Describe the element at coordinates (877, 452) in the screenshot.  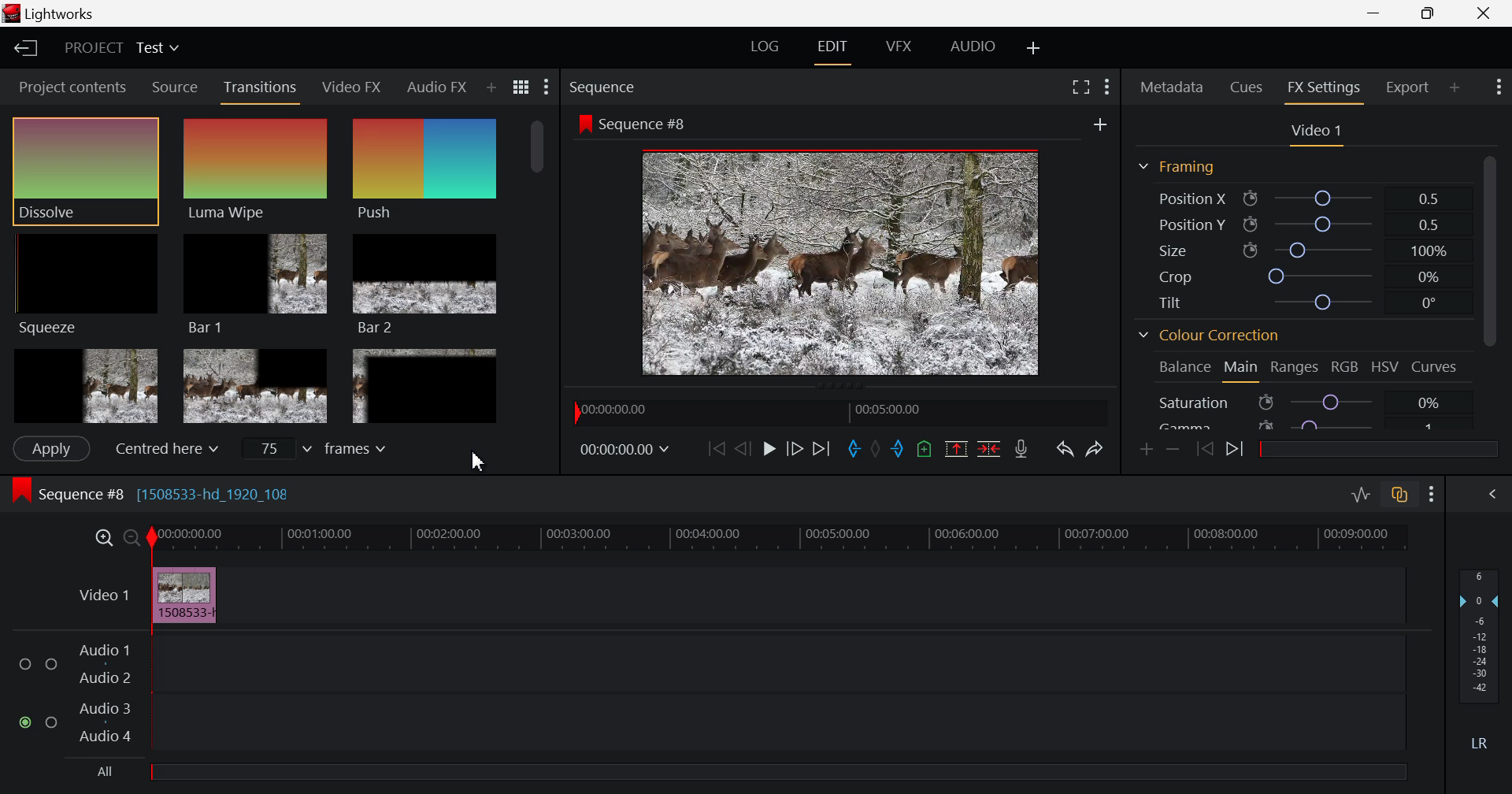
I see `Remove all marks` at that location.